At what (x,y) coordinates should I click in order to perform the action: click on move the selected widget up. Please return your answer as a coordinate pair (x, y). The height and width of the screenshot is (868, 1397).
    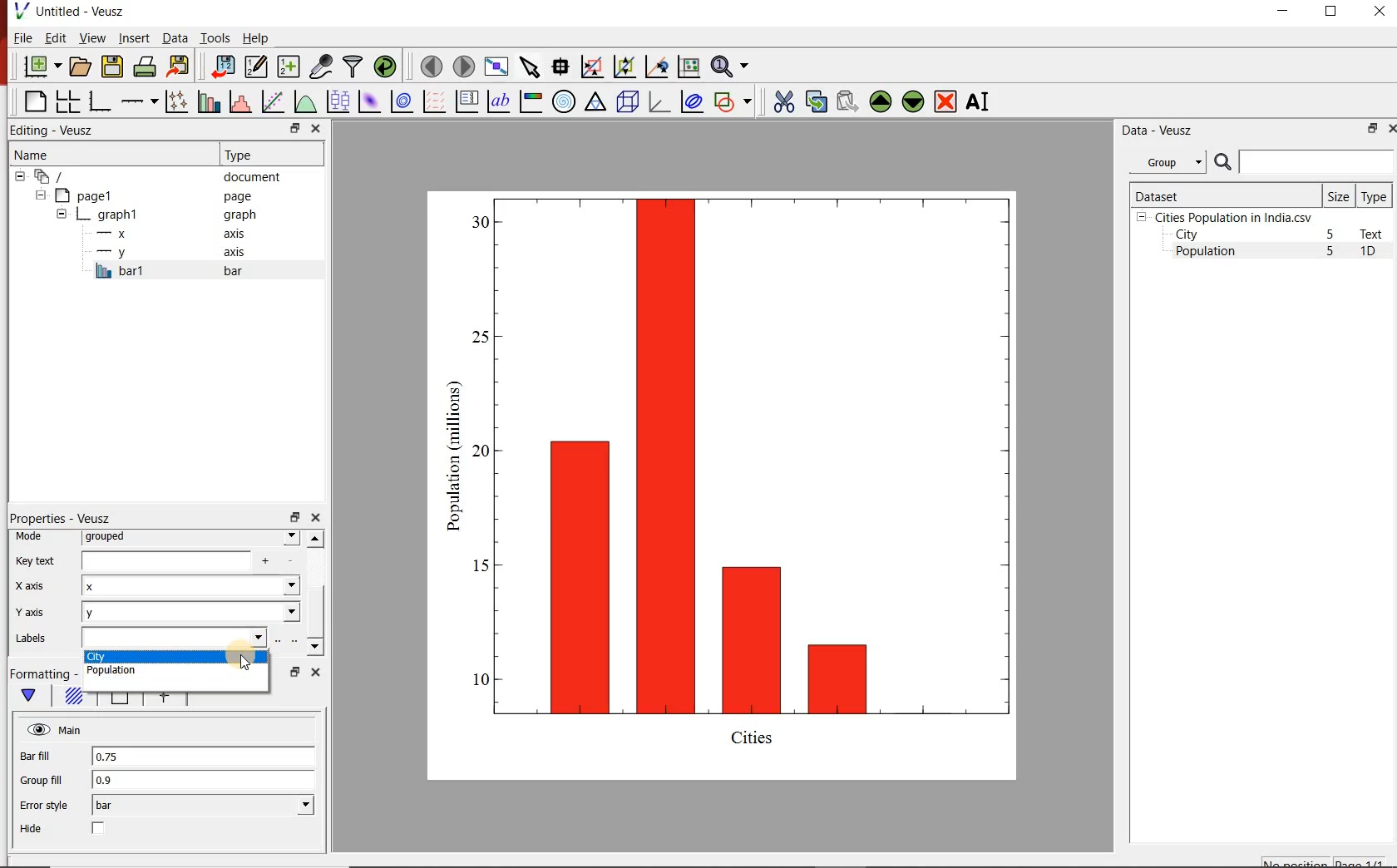
    Looking at the image, I should click on (881, 101).